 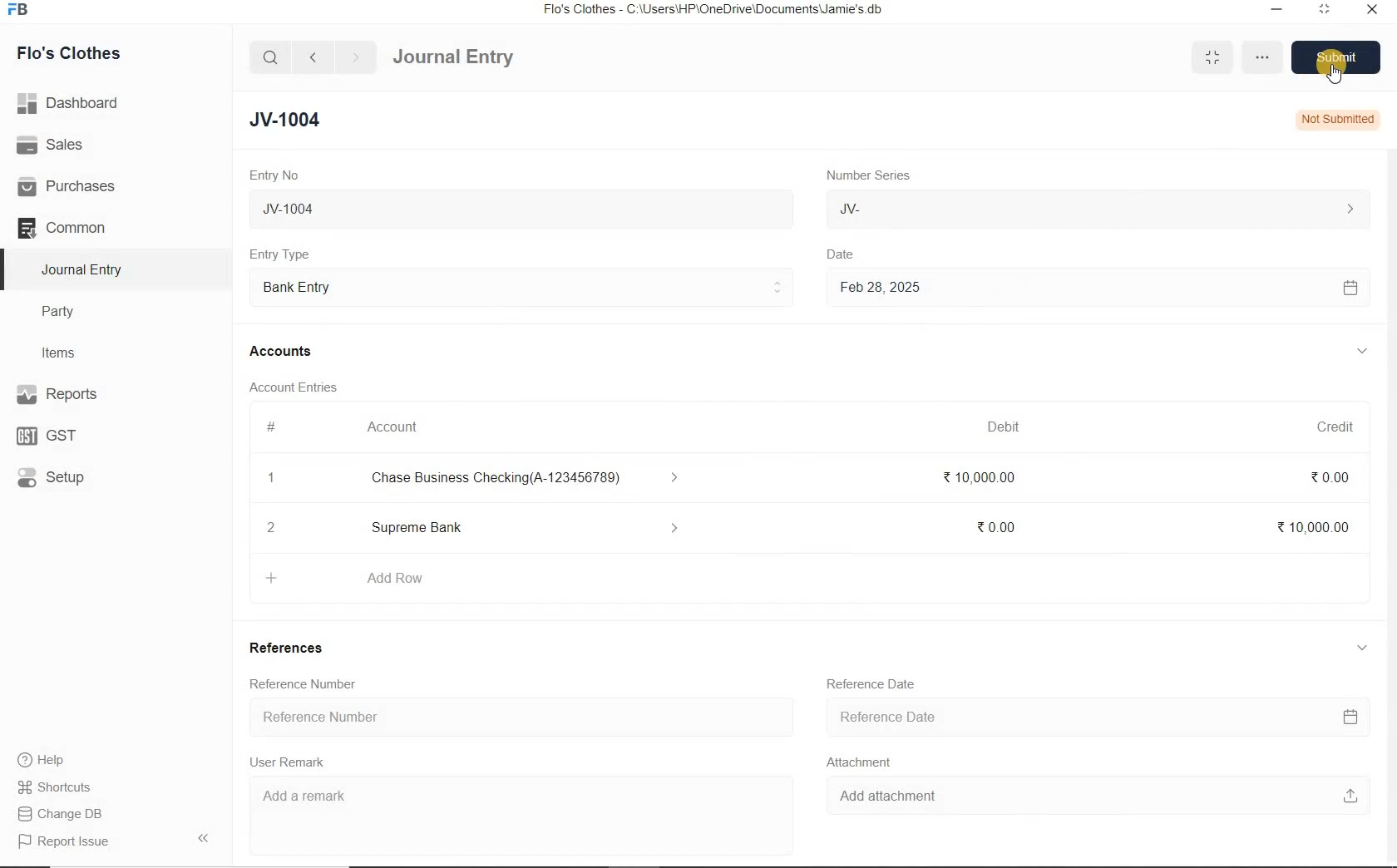 I want to click on #, so click(x=272, y=427).